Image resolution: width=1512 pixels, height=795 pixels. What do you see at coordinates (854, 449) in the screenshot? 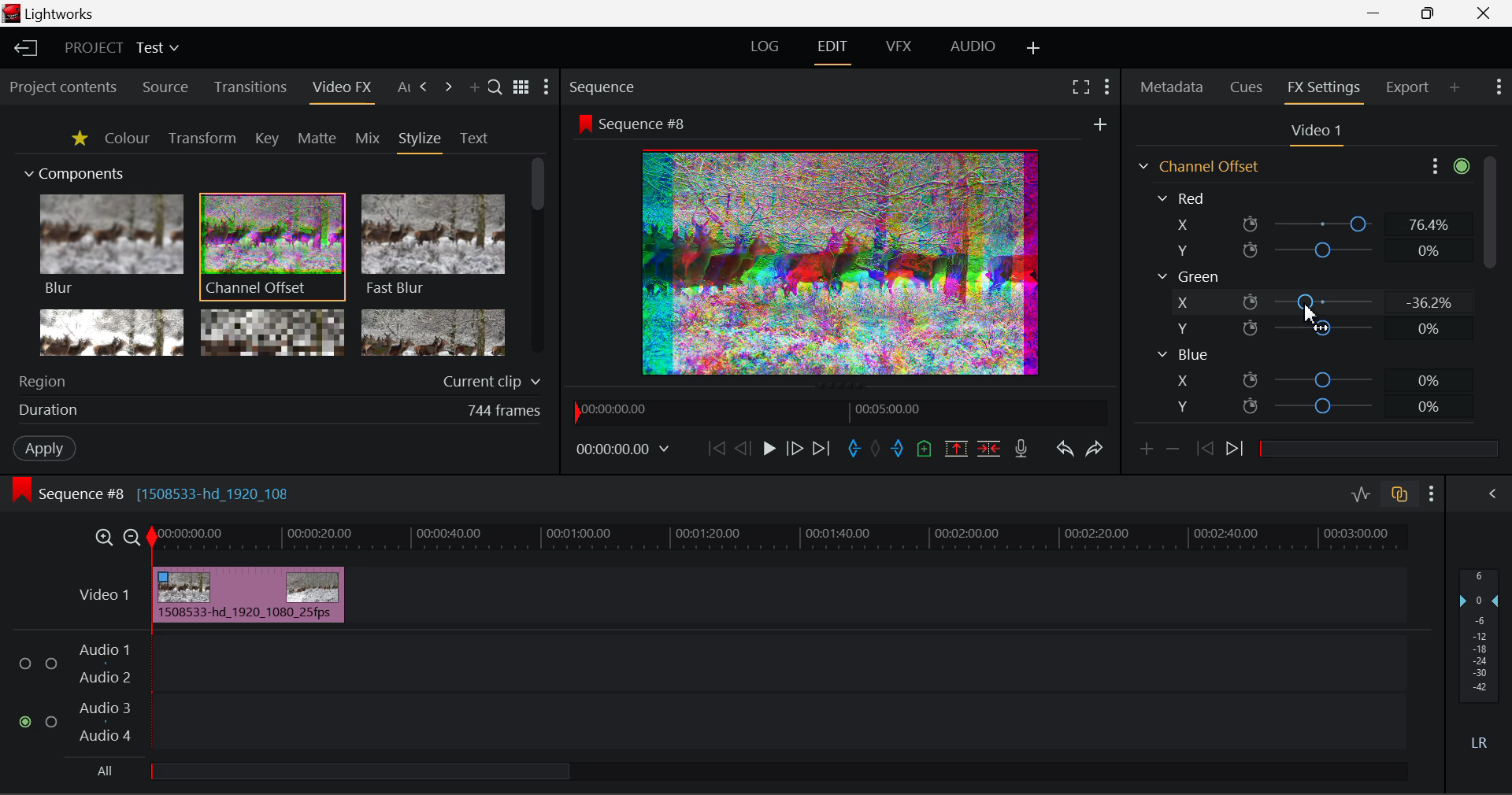
I see `Mark In` at bounding box center [854, 449].